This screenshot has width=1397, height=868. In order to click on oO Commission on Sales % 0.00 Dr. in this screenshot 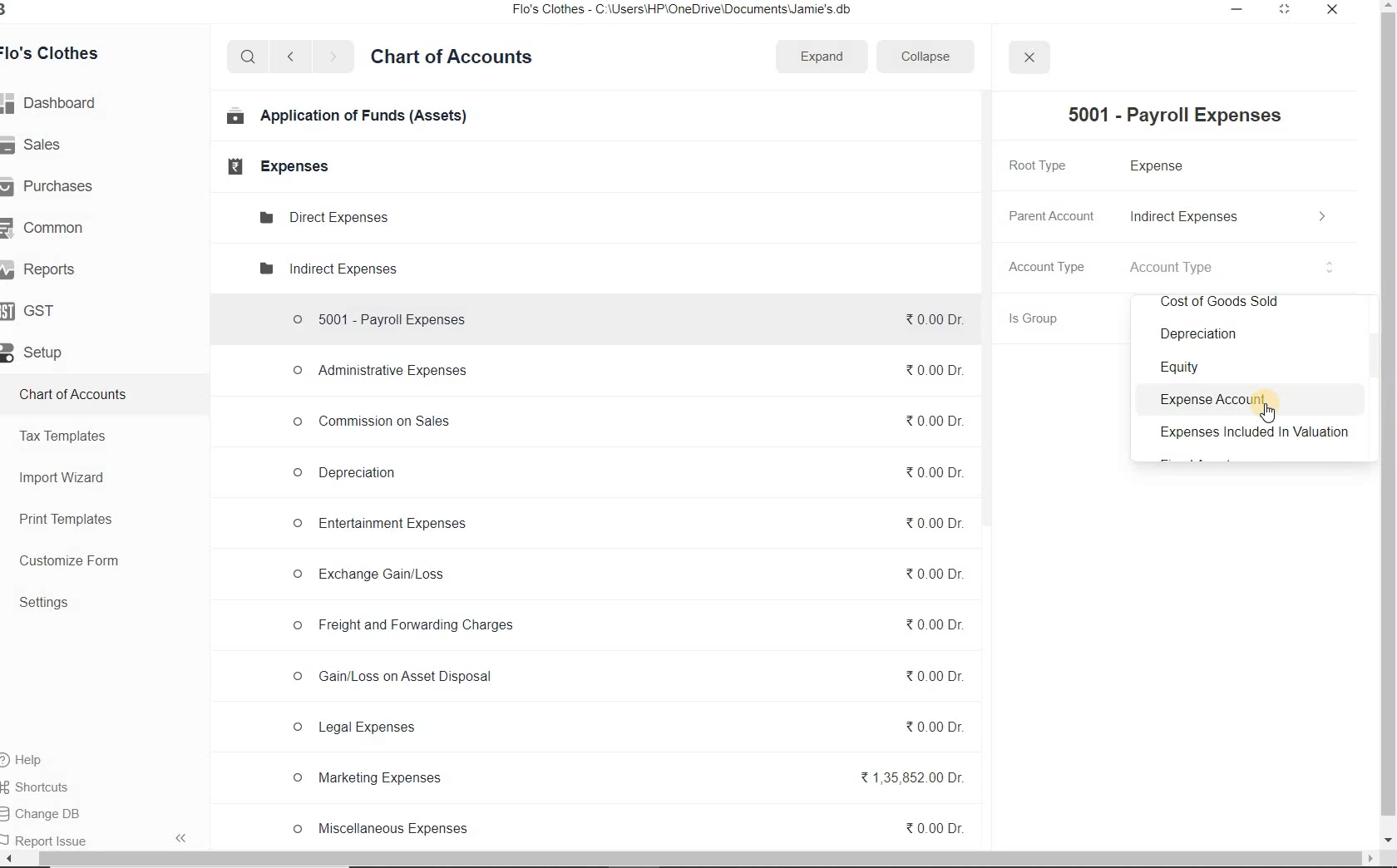, I will do `click(629, 421)`.